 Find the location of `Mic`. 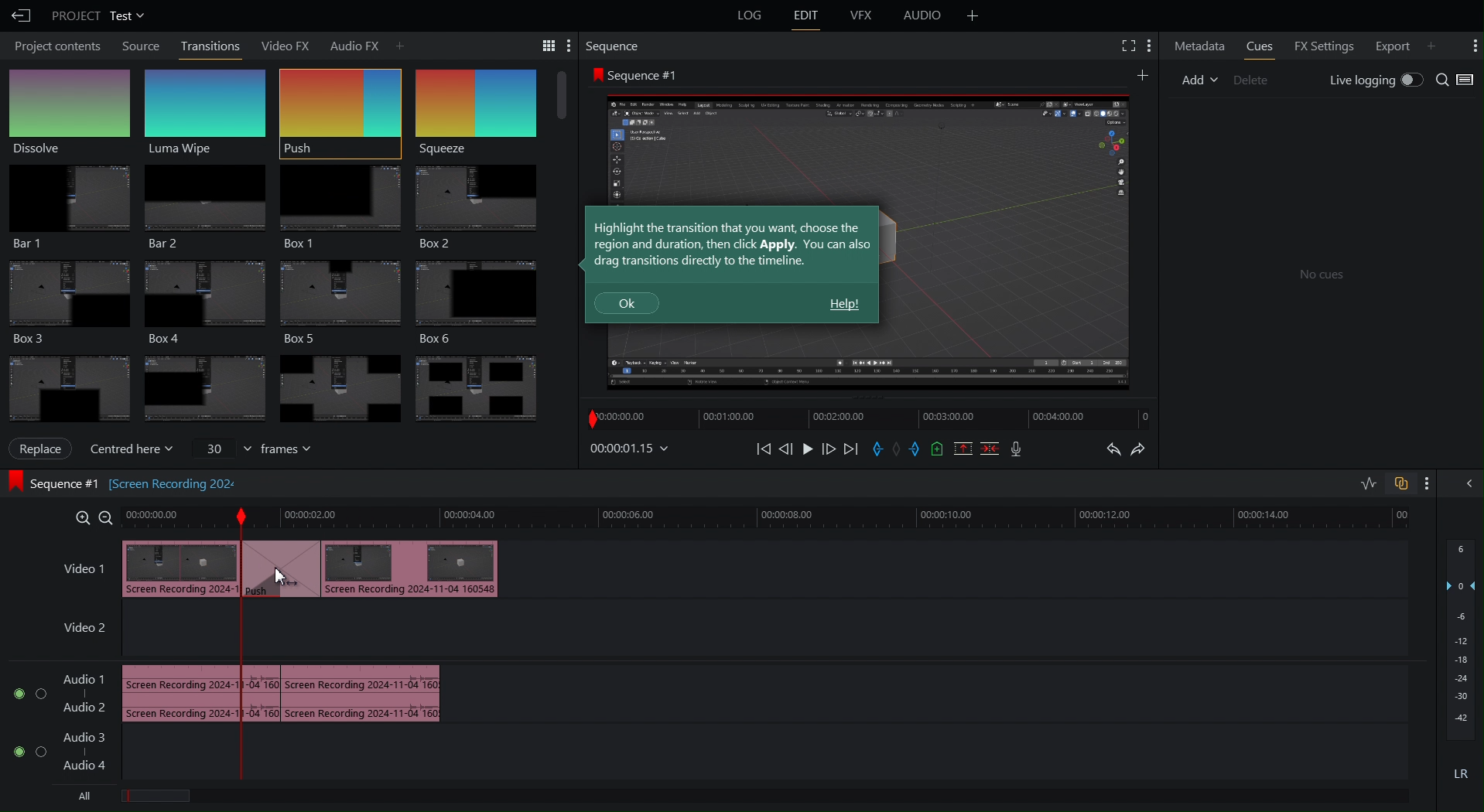

Mic is located at coordinates (1017, 450).